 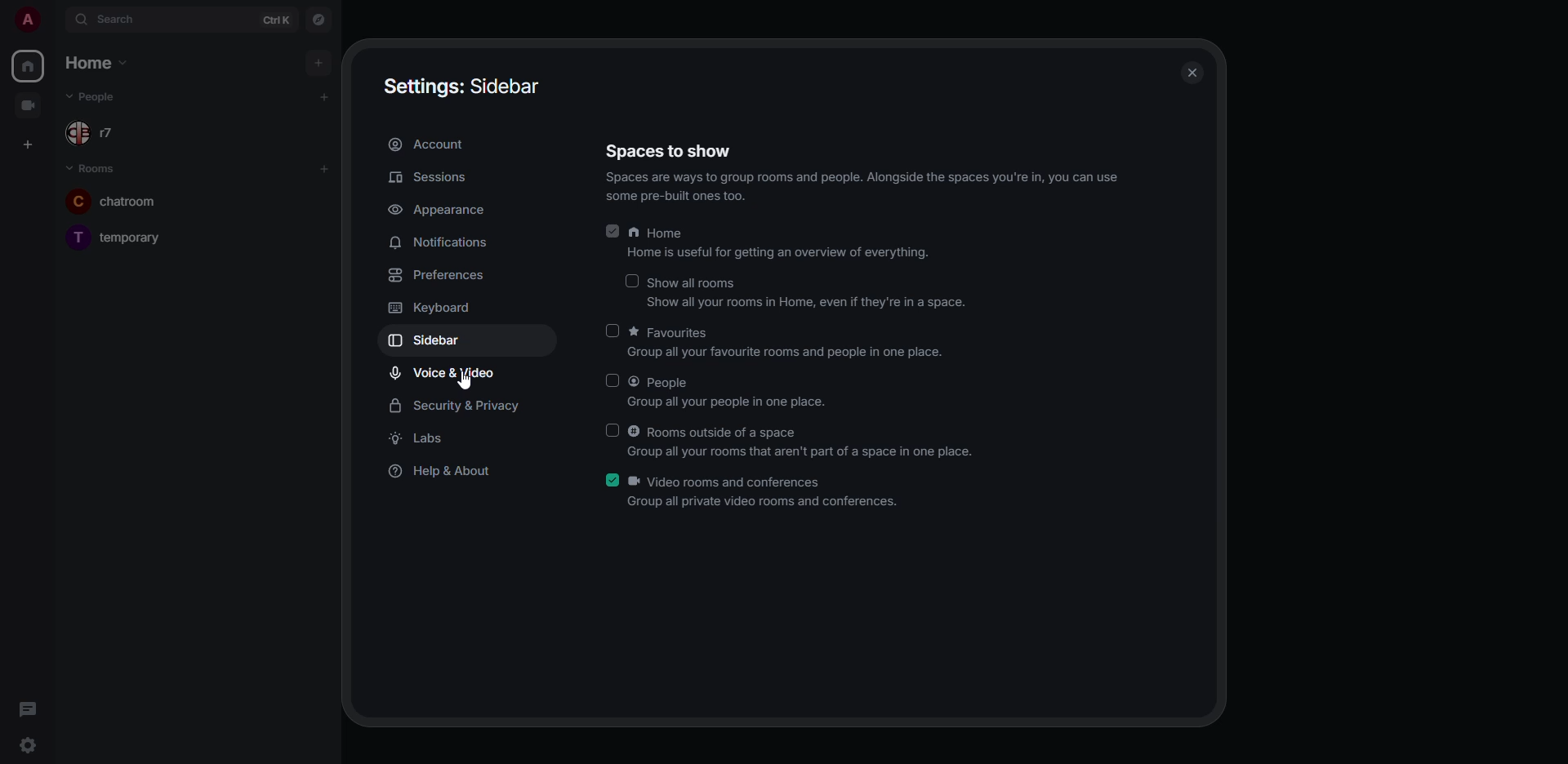 What do you see at coordinates (443, 242) in the screenshot?
I see `notifications` at bounding box center [443, 242].